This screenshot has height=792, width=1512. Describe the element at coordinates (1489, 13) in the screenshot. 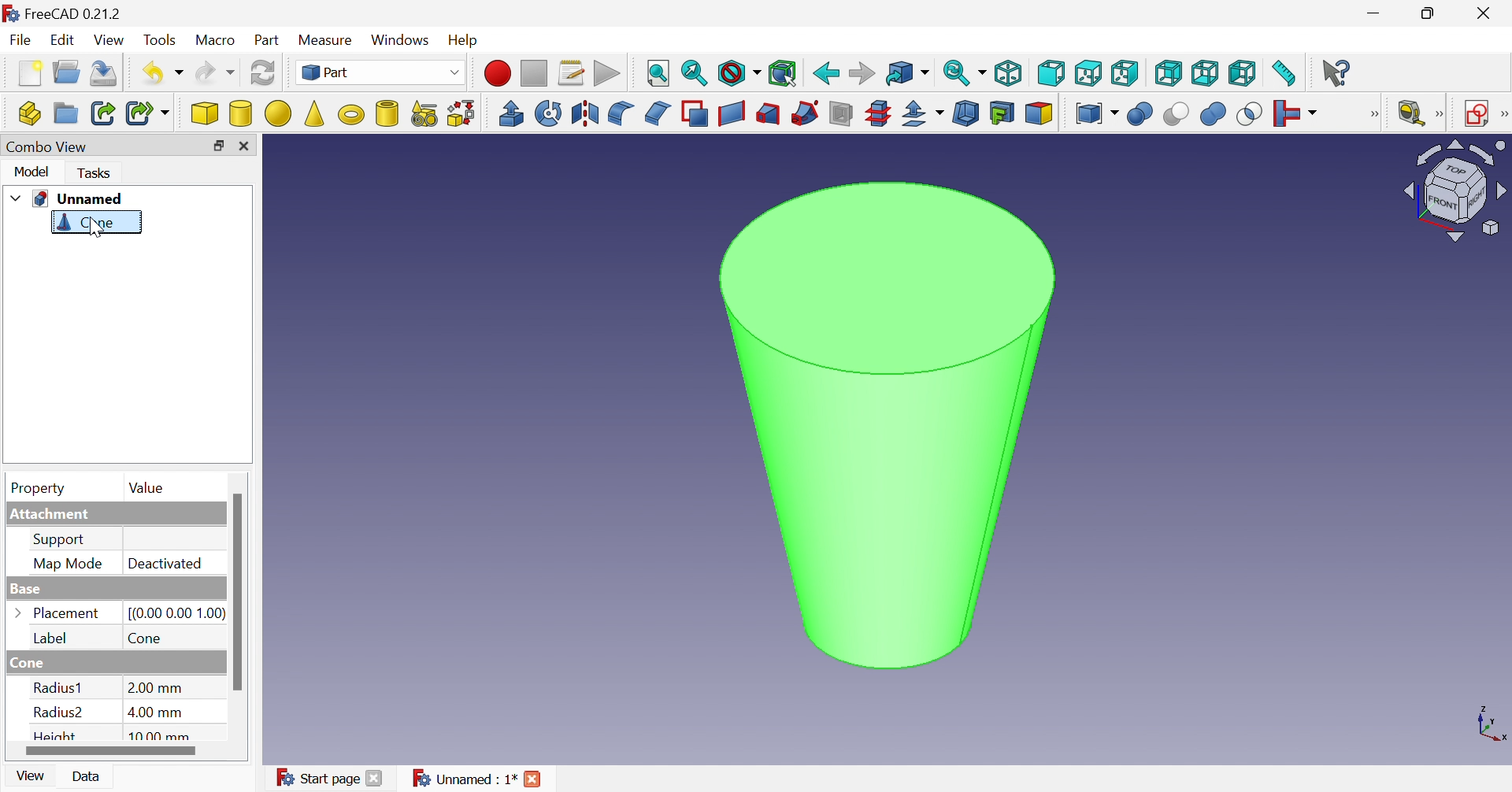

I see `Close` at that location.